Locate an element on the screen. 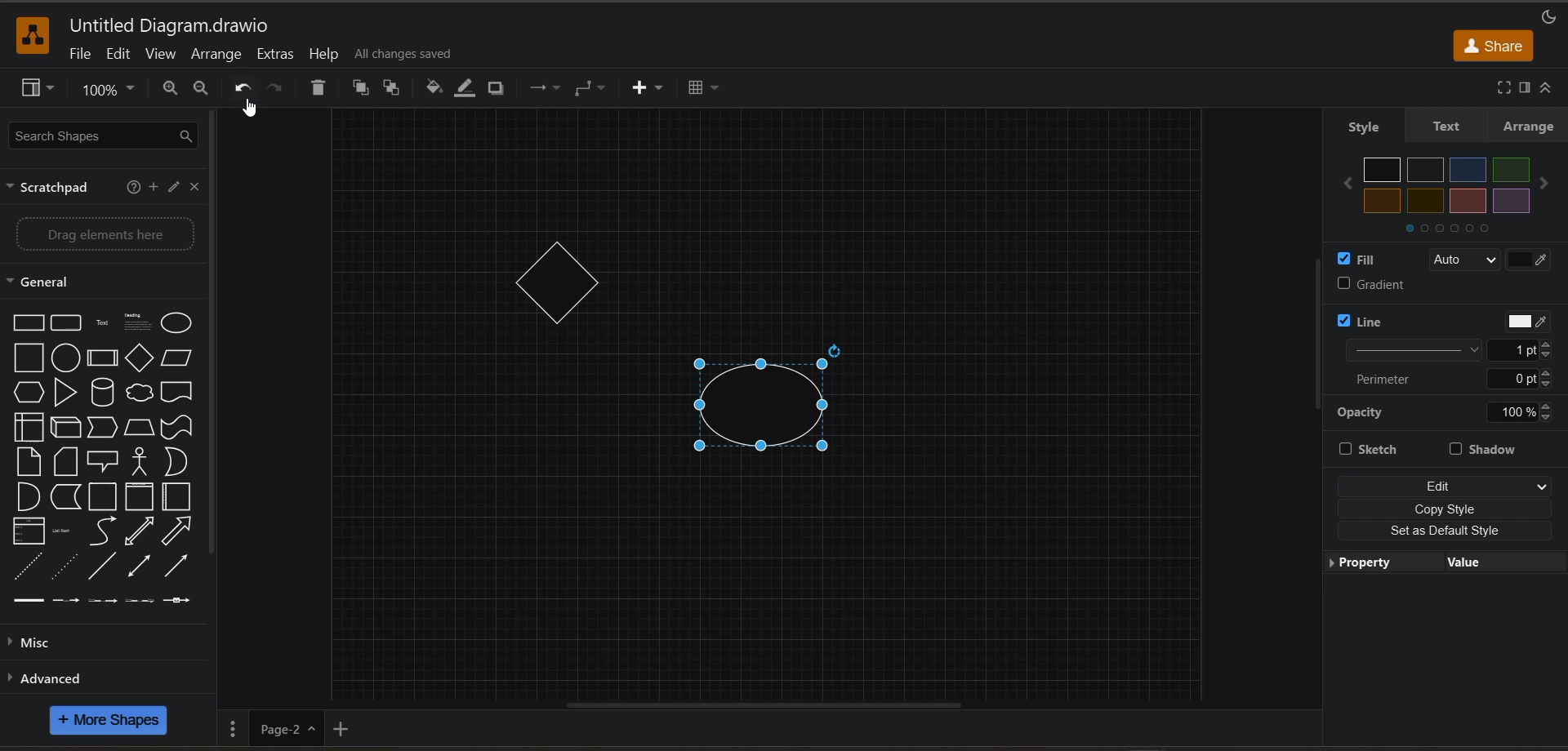 This screenshot has width=1568, height=751. vertical scroll bar is located at coordinates (214, 337).